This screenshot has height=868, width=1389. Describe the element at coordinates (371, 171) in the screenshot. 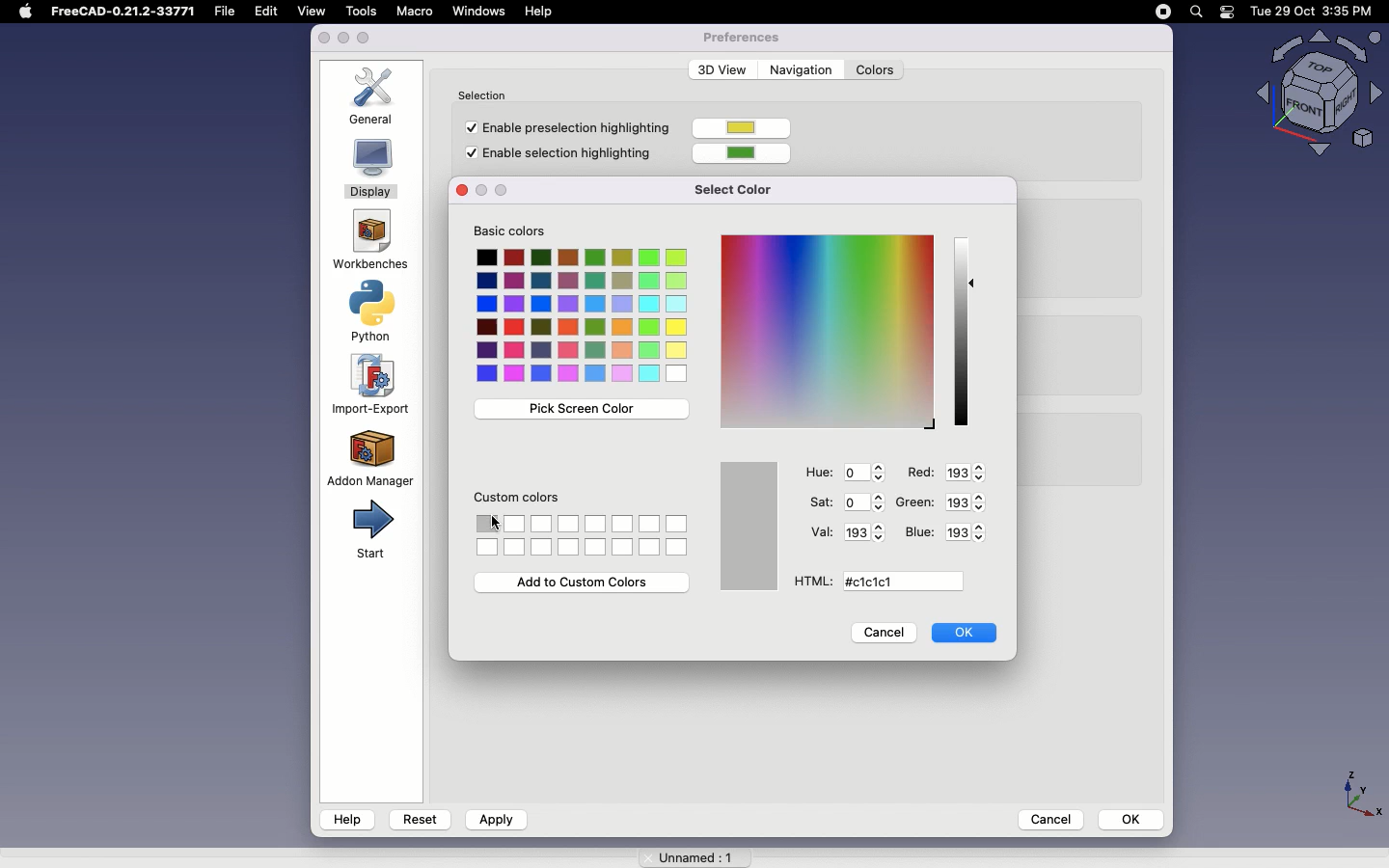

I see `Display ` at that location.